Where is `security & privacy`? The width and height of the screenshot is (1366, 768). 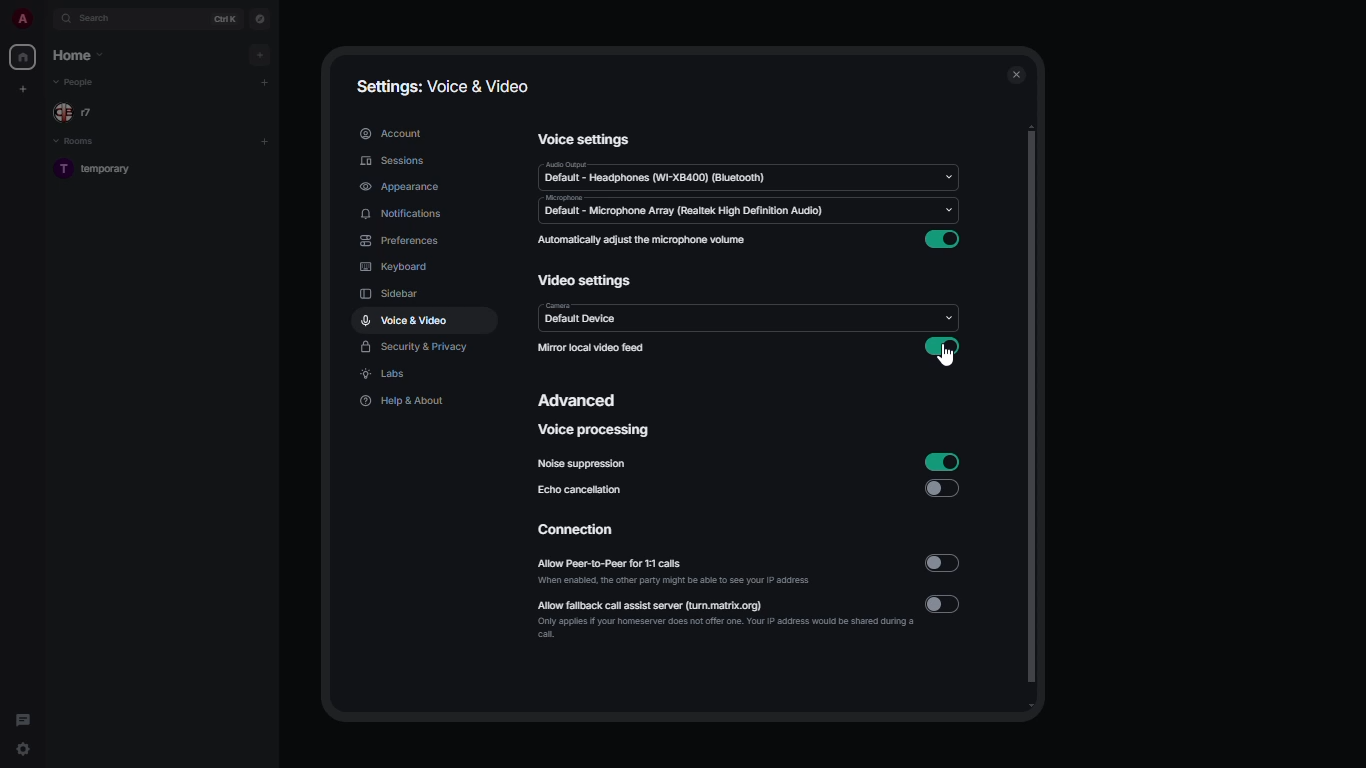 security & privacy is located at coordinates (416, 348).